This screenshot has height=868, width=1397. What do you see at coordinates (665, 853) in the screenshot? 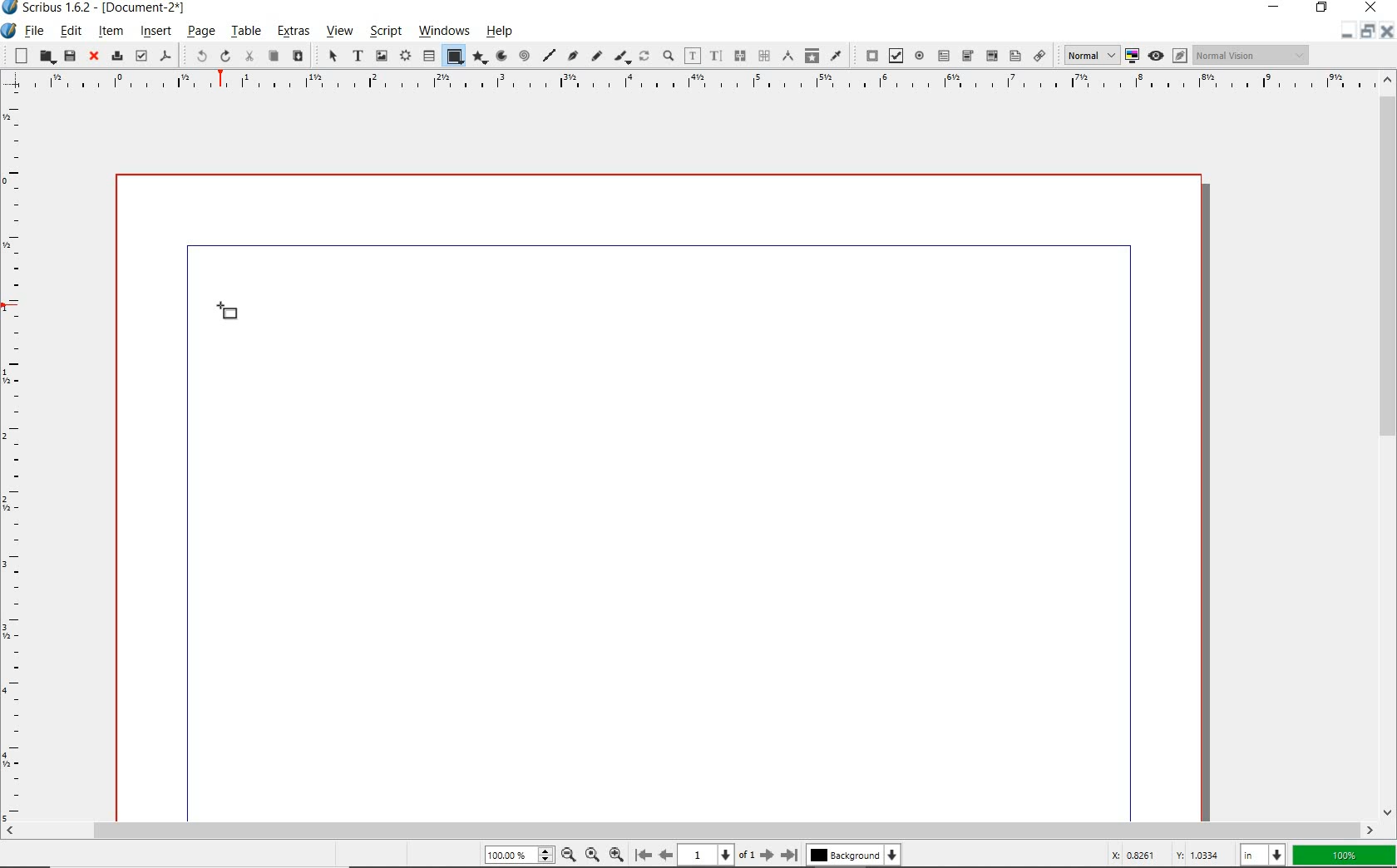
I see `move to previous` at bounding box center [665, 853].